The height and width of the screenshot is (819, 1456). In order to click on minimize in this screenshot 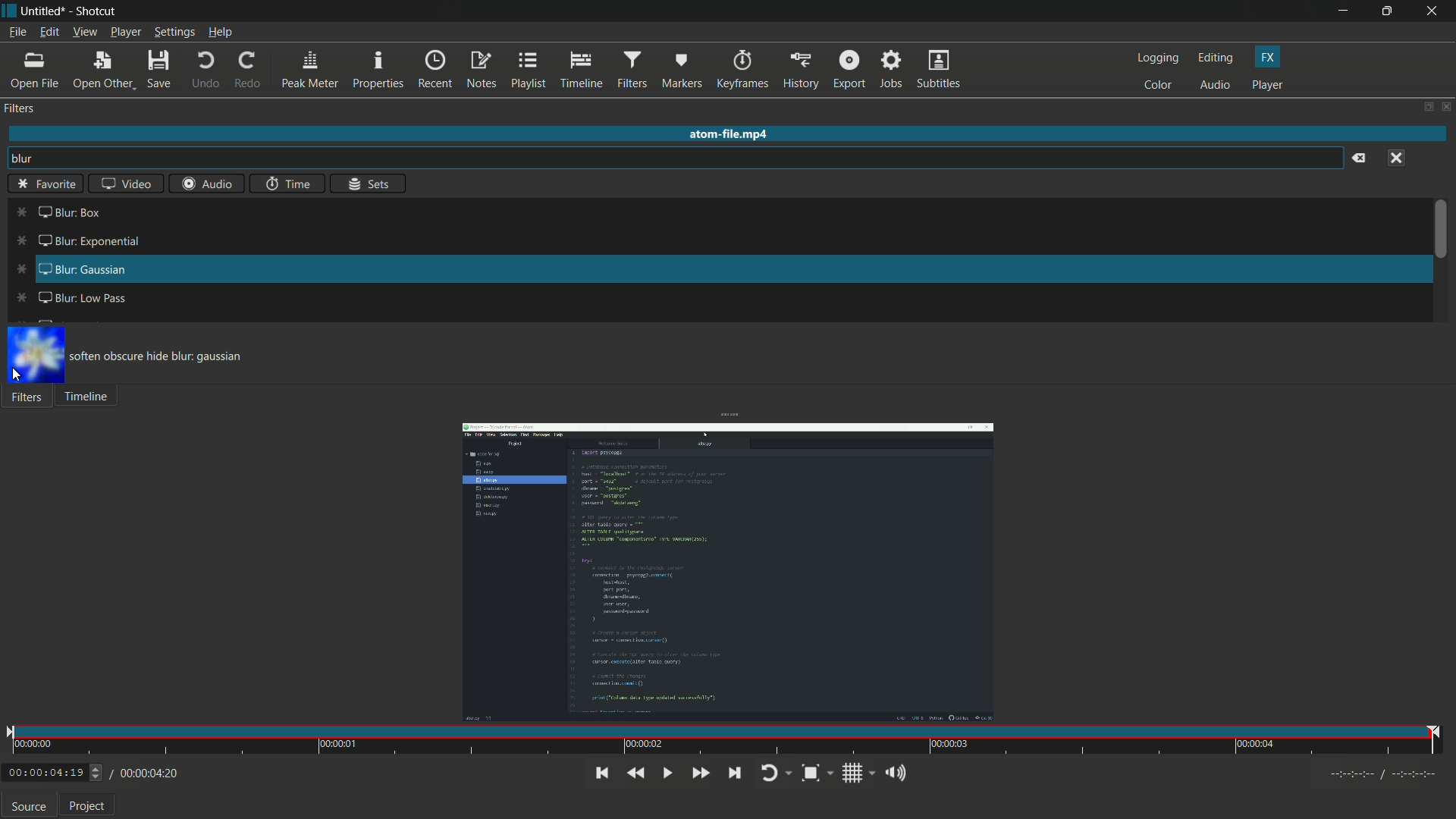, I will do `click(1348, 11)`.